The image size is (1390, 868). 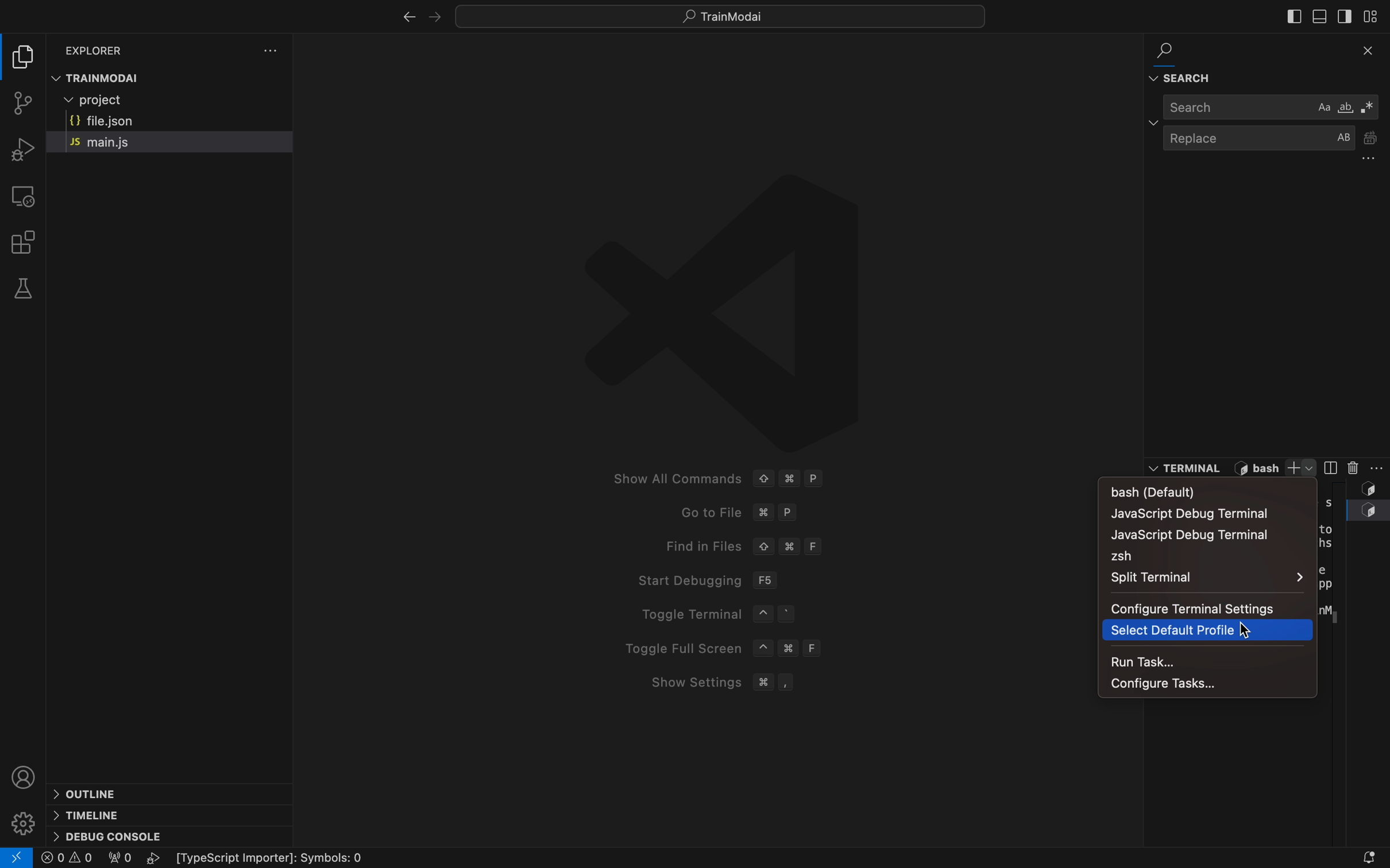 I want to click on trainmodai, so click(x=177, y=77).